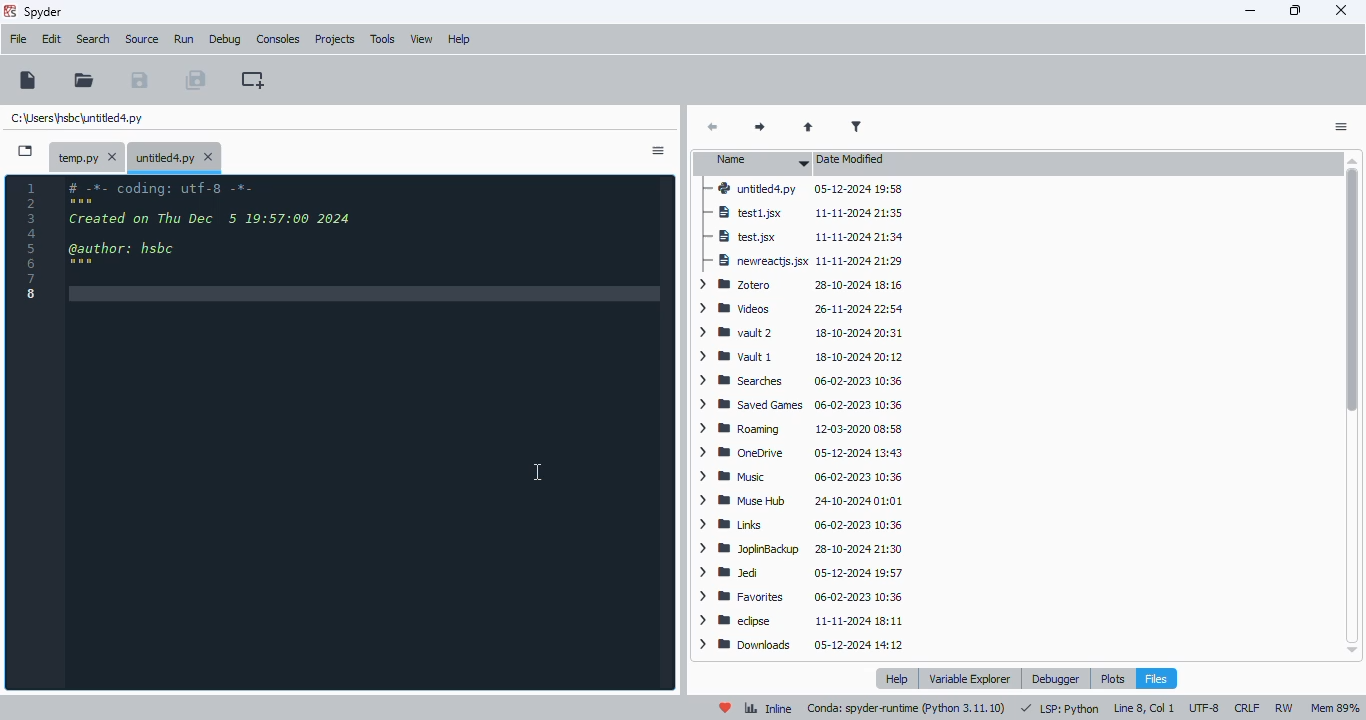 The image size is (1366, 720). Describe the element at coordinates (1335, 708) in the screenshot. I see `mem 89%` at that location.